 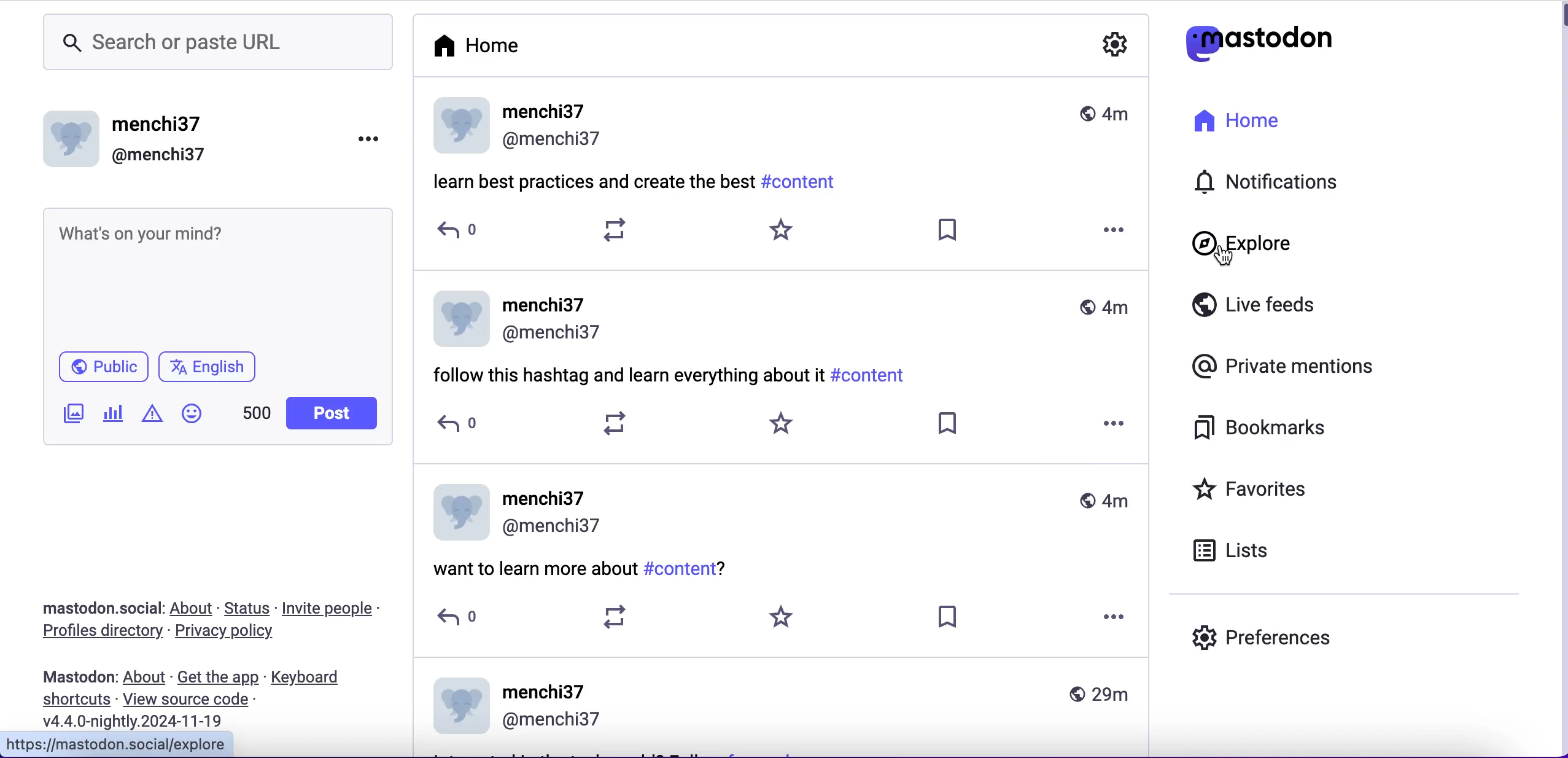 I want to click on add poll, so click(x=113, y=416).